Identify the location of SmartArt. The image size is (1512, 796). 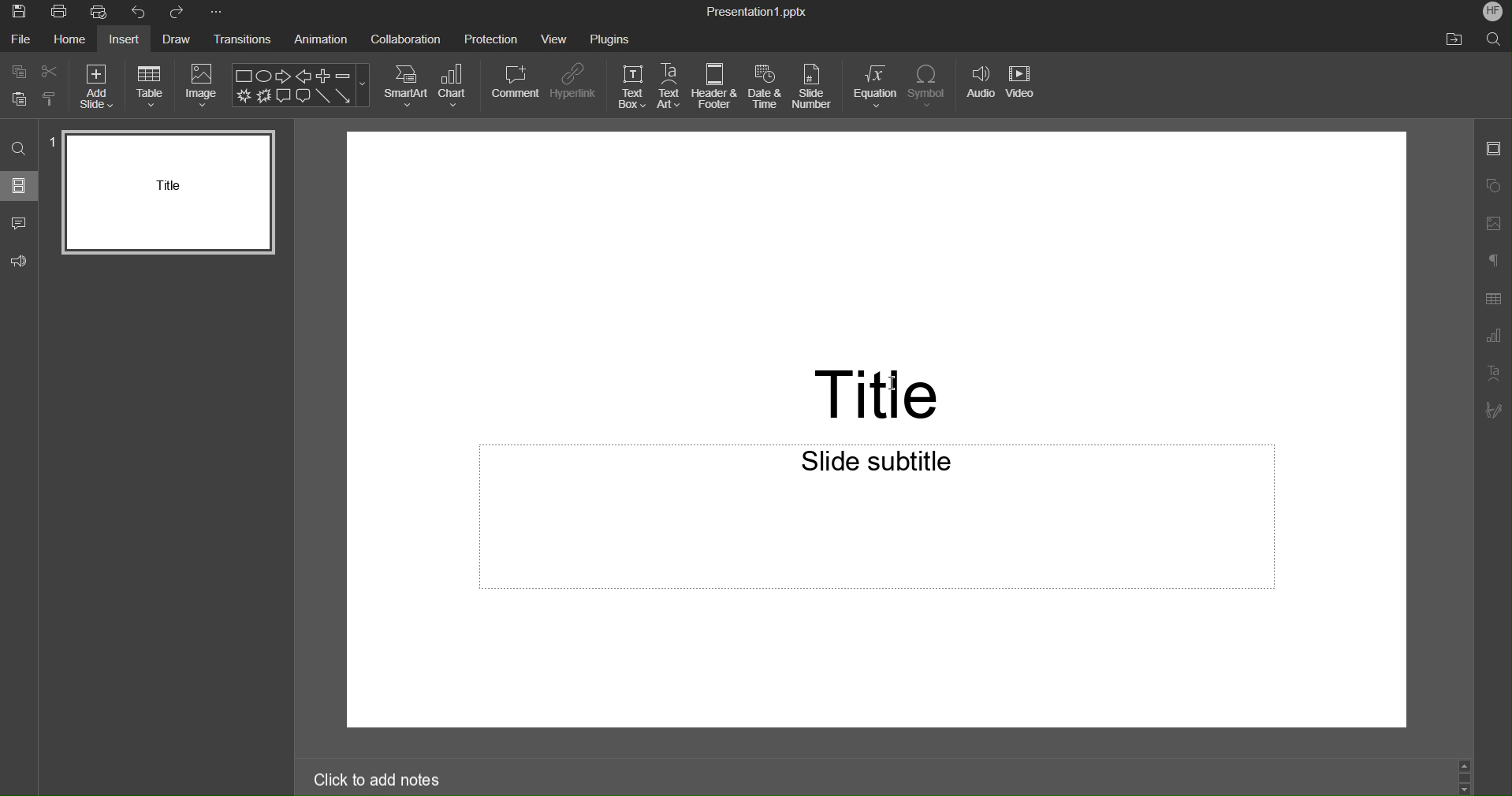
(405, 87).